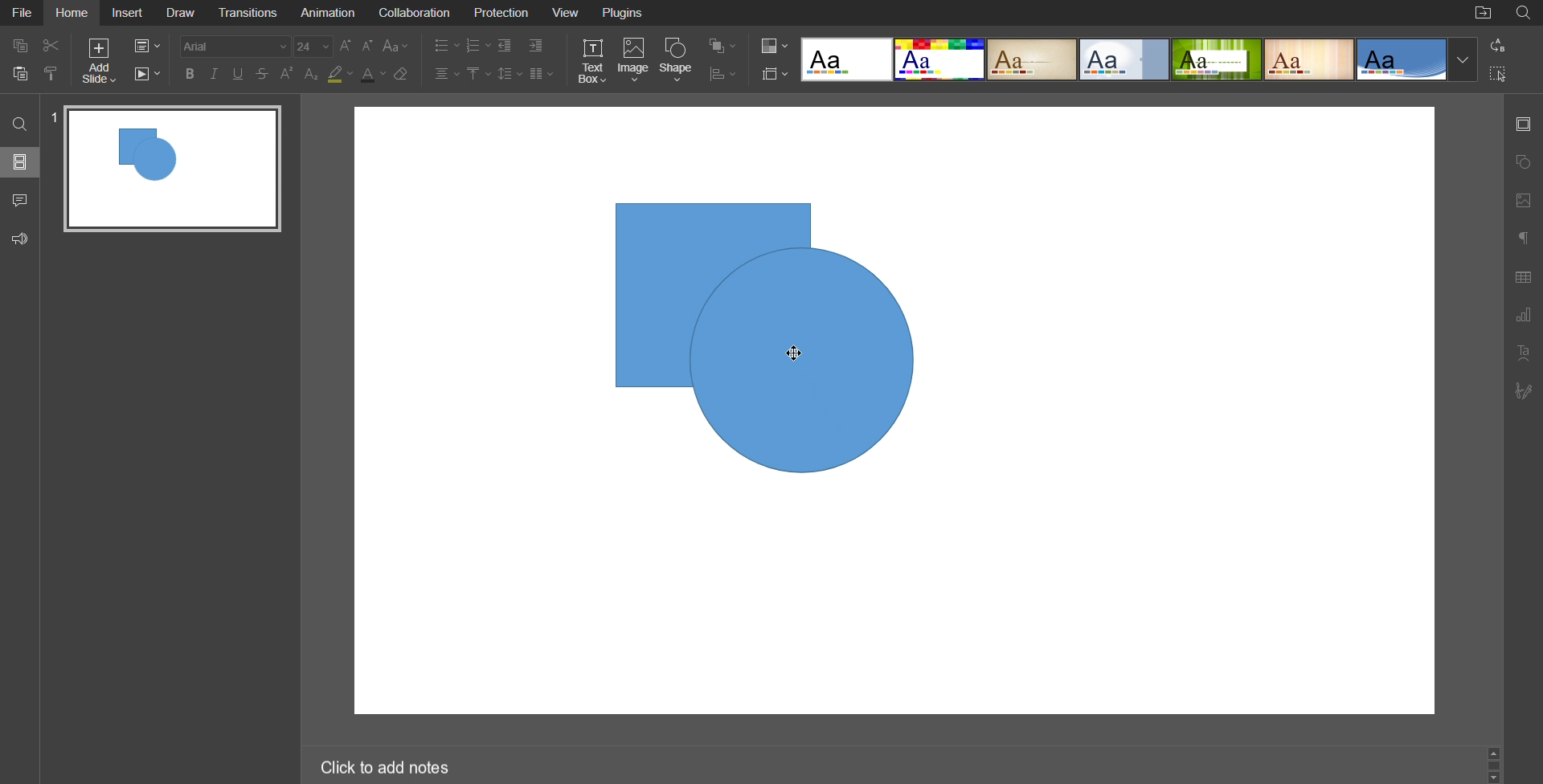 The height and width of the screenshot is (784, 1543). Describe the element at coordinates (215, 75) in the screenshot. I see `Italic` at that location.